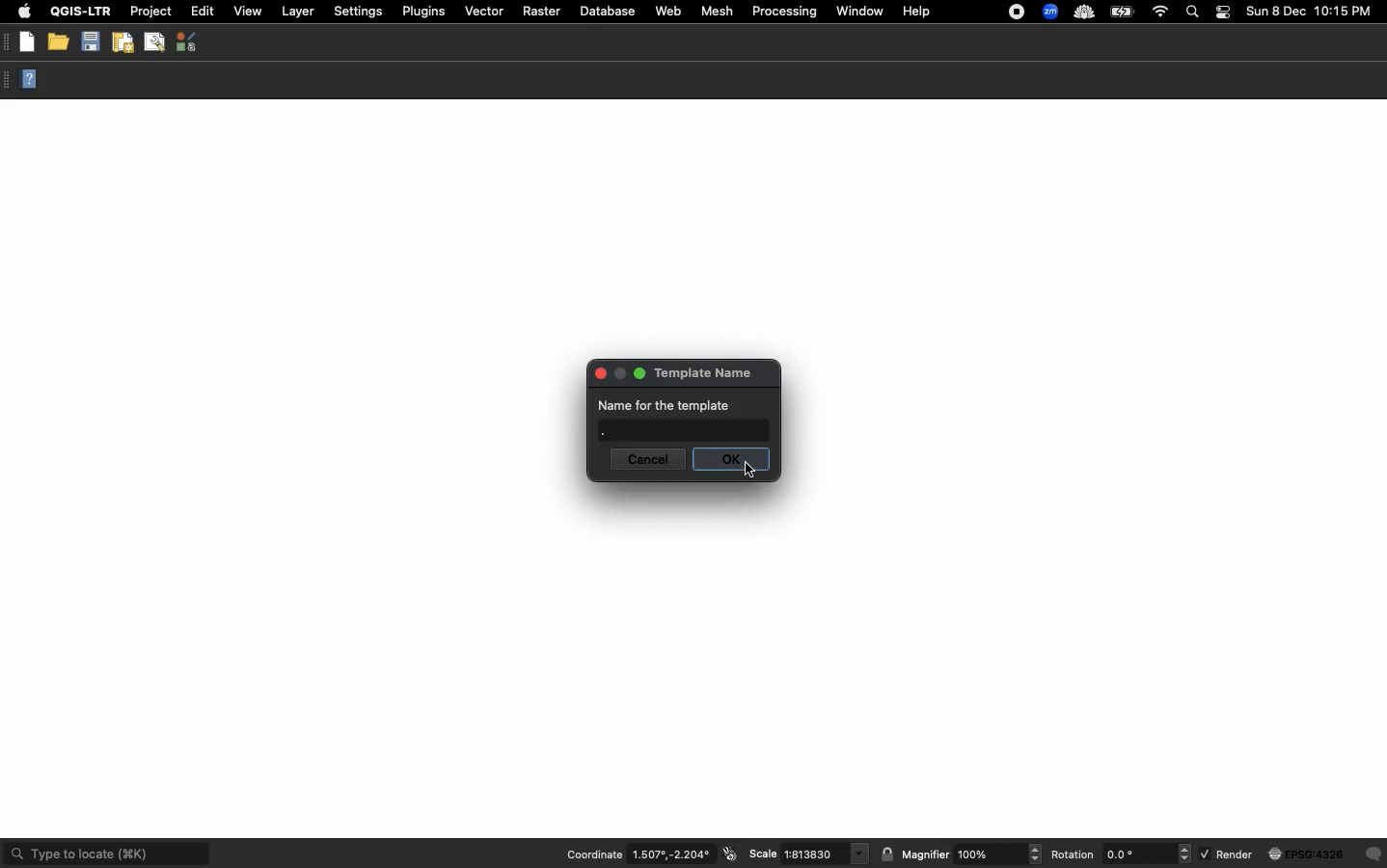 Image resolution: width=1387 pixels, height=868 pixels. What do you see at coordinates (710, 372) in the screenshot?
I see `Template name` at bounding box center [710, 372].